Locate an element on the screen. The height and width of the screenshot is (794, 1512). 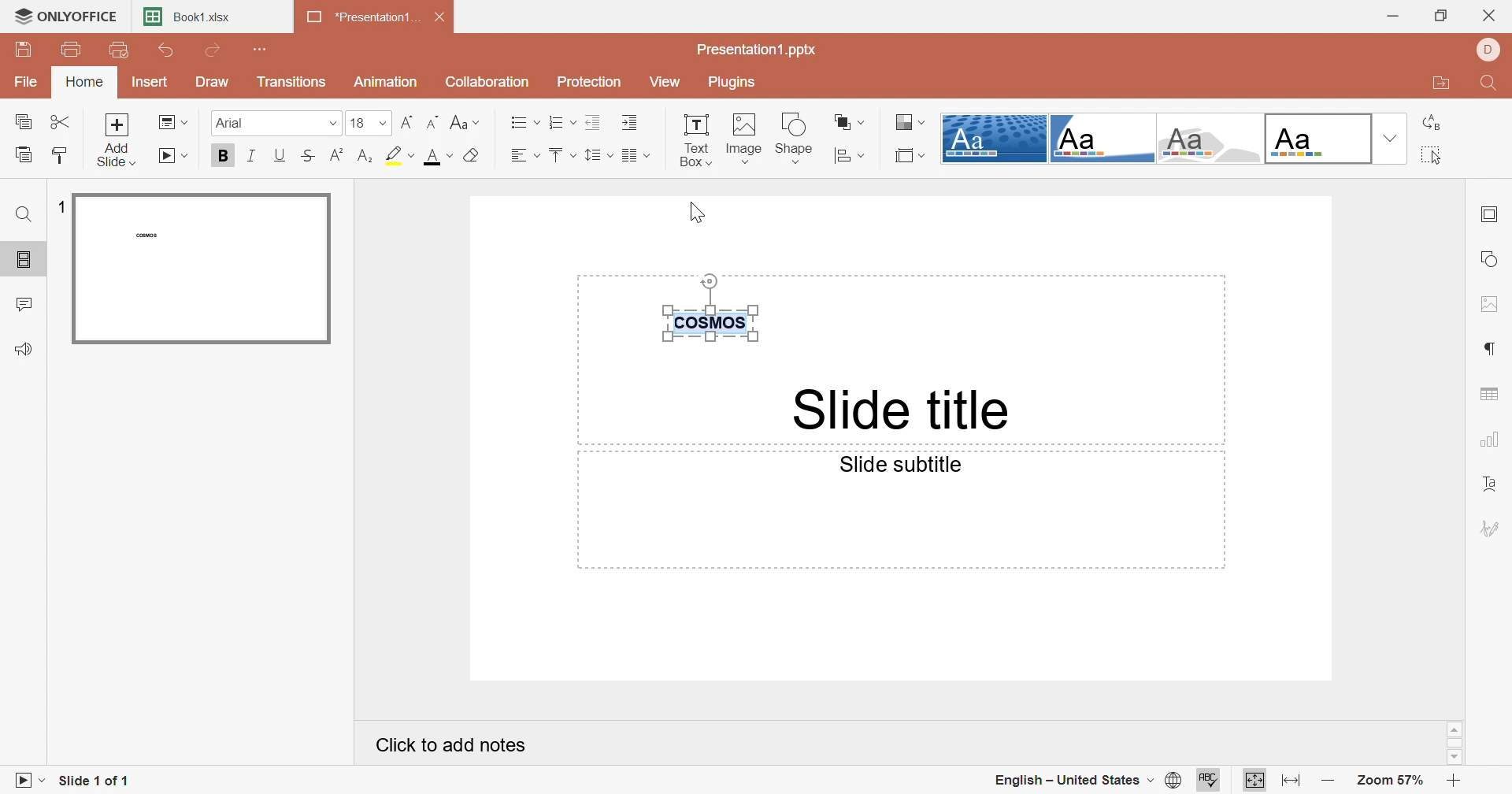
Set document language is located at coordinates (1175, 778).